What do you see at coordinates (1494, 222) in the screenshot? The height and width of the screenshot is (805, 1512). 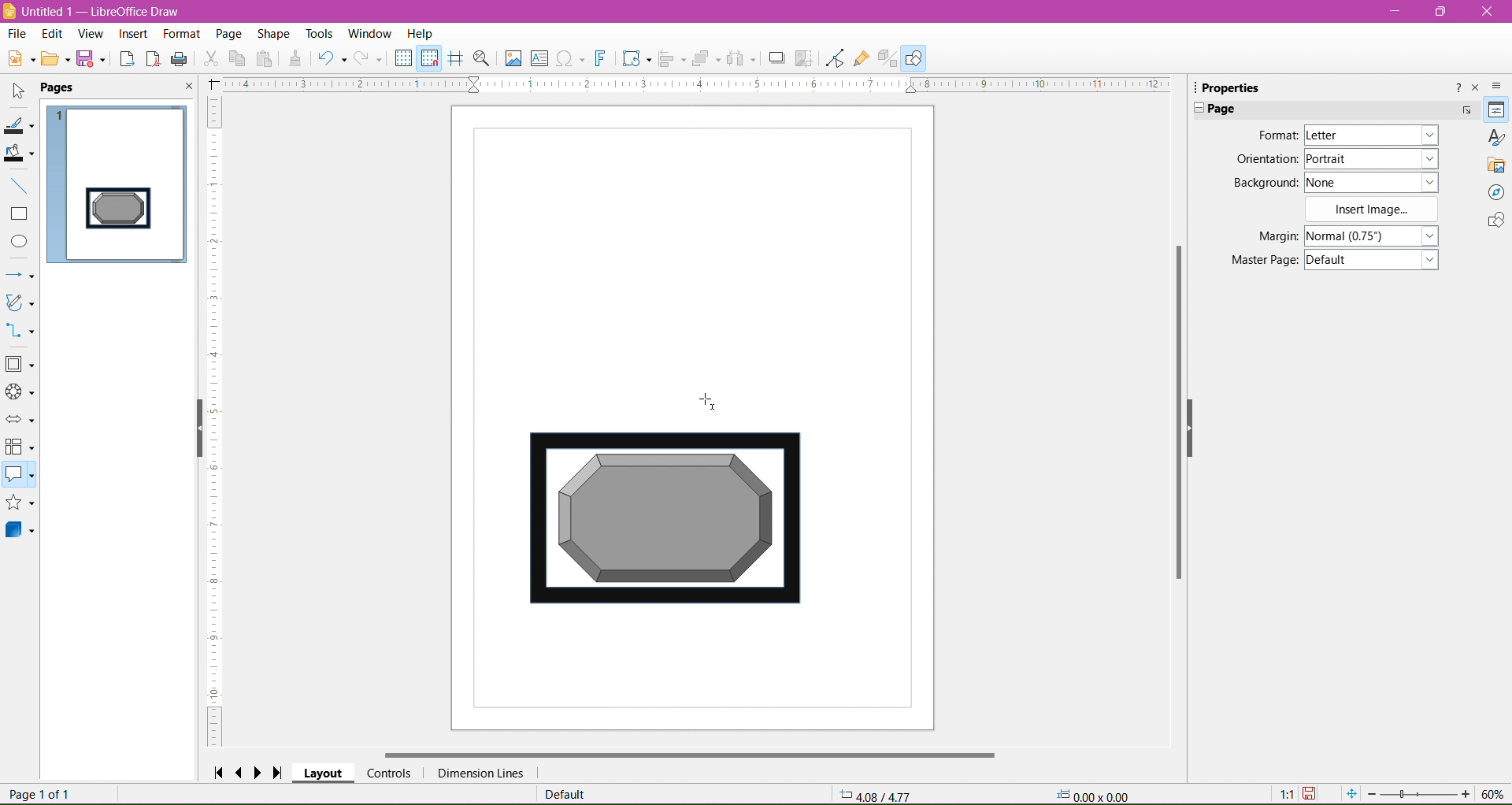 I see `Shapes` at bounding box center [1494, 222].